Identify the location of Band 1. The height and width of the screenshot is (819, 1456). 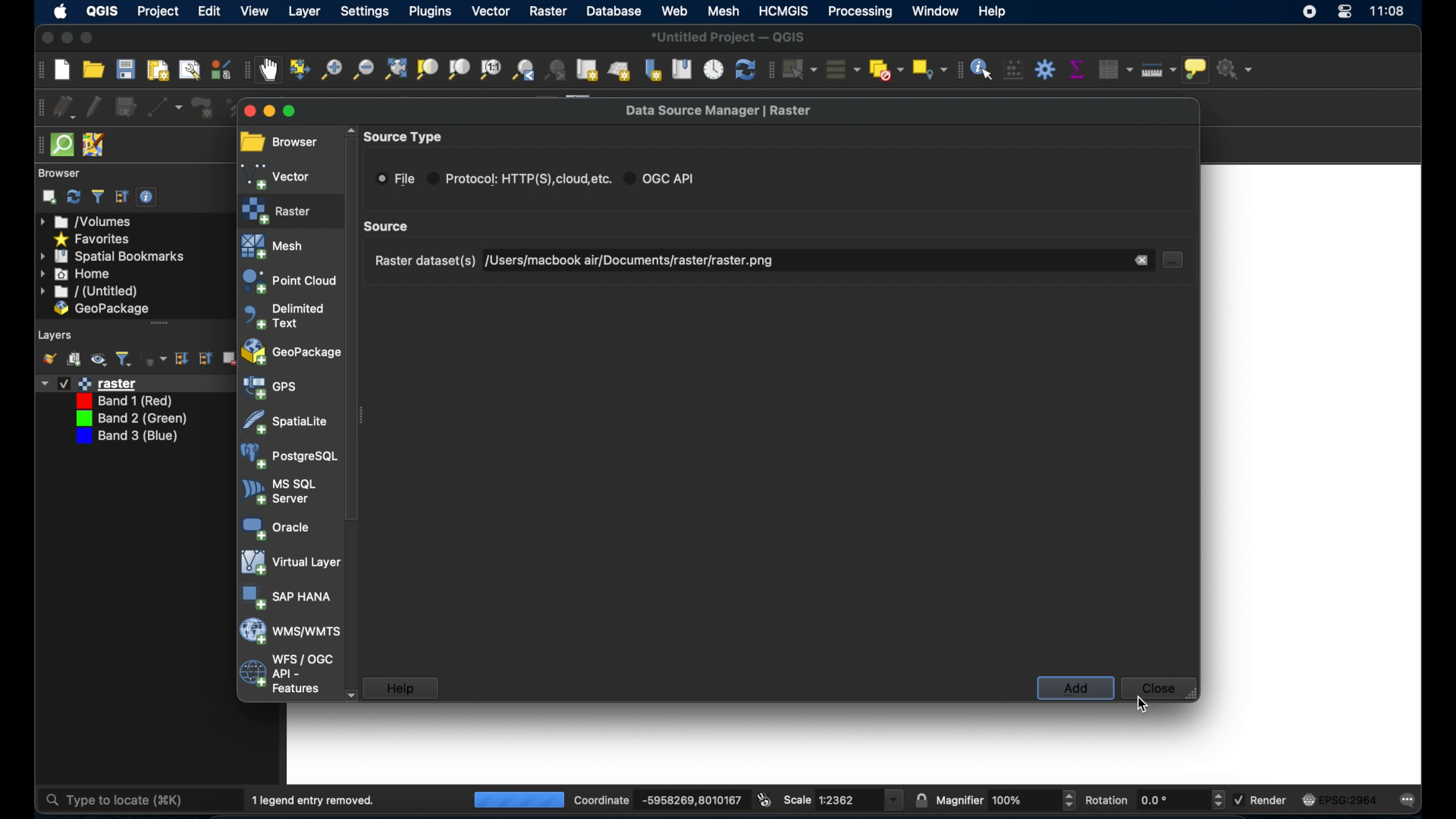
(127, 400).